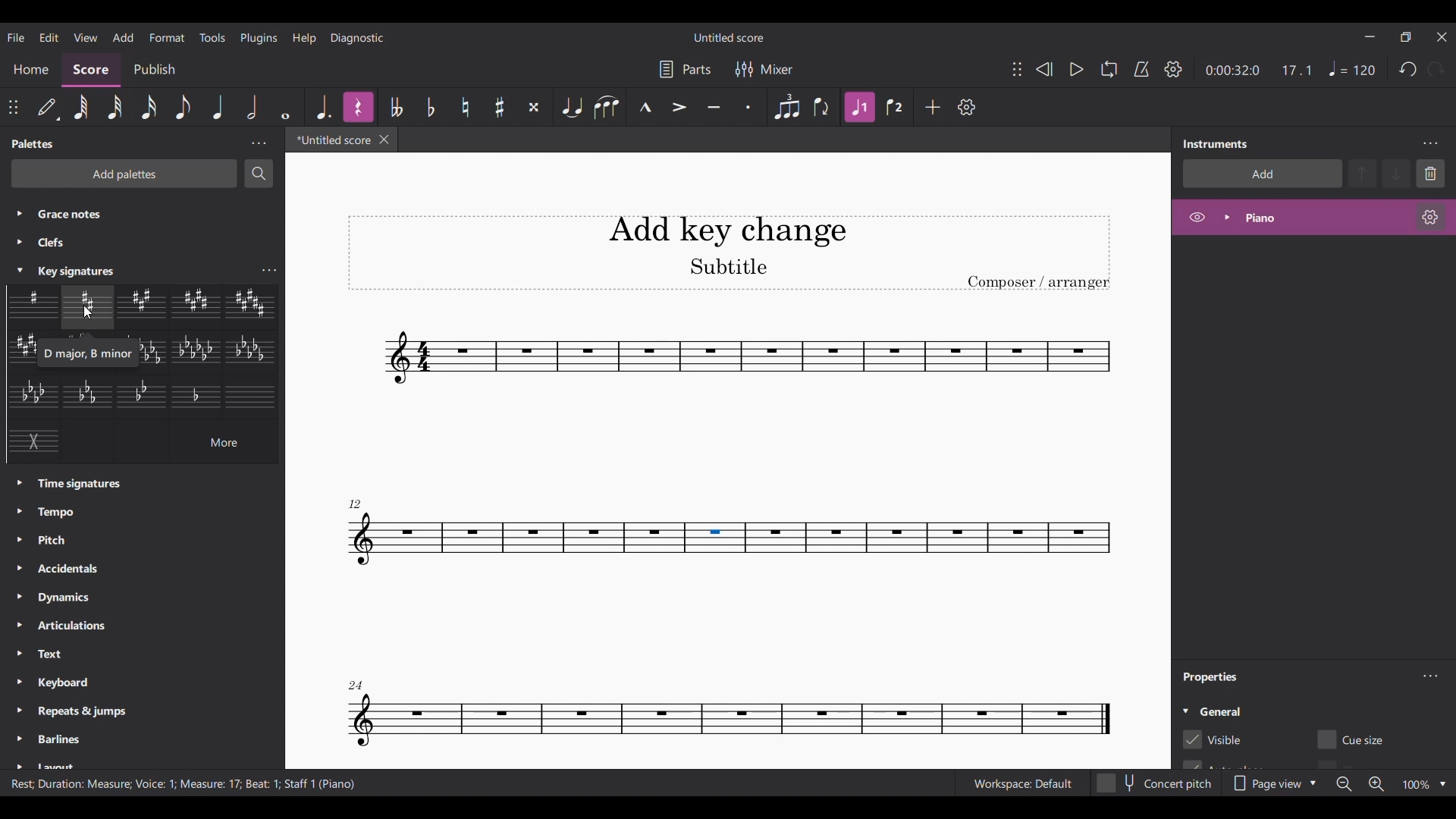  What do you see at coordinates (466, 107) in the screenshot?
I see `Toggle sharp` at bounding box center [466, 107].